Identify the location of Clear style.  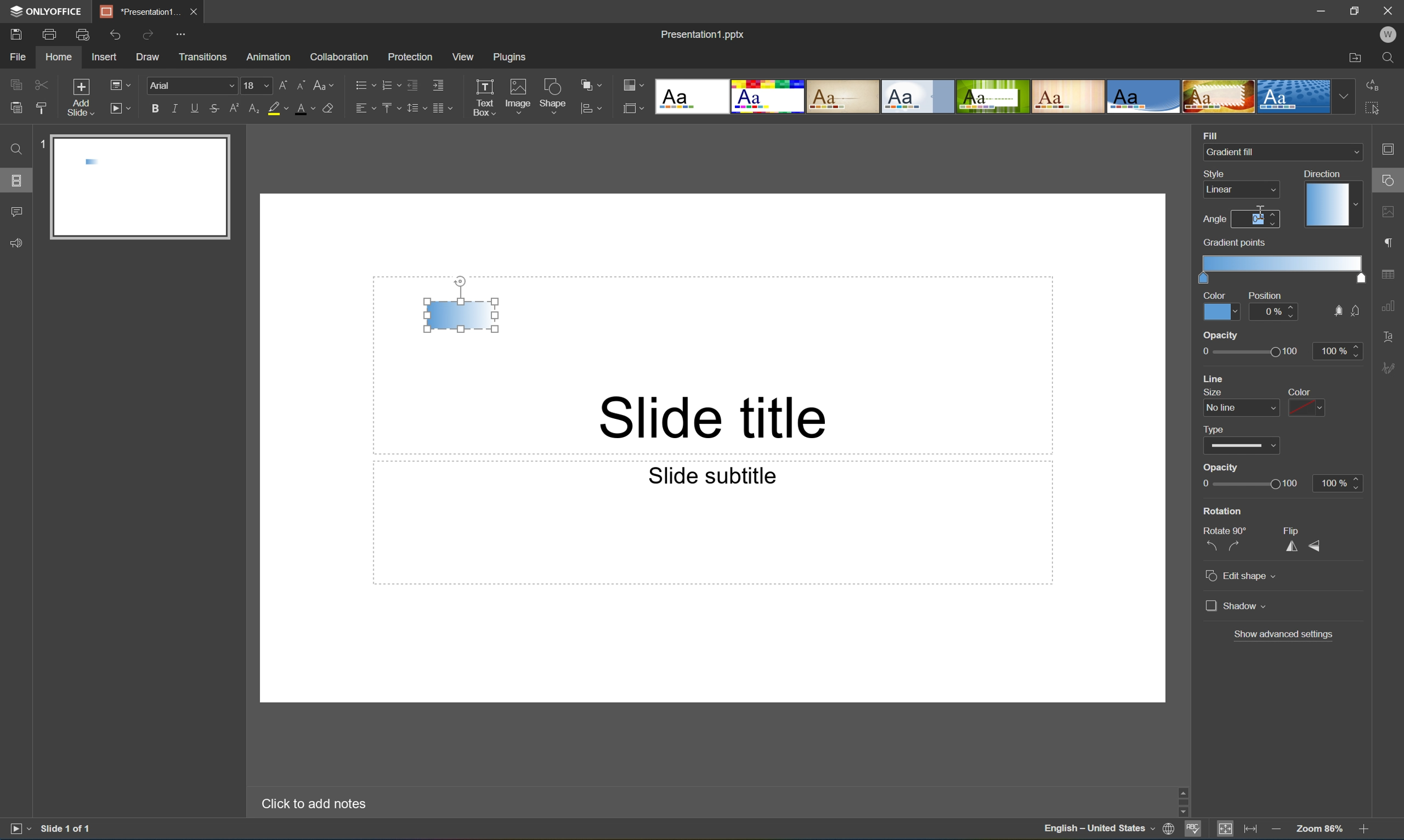
(328, 107).